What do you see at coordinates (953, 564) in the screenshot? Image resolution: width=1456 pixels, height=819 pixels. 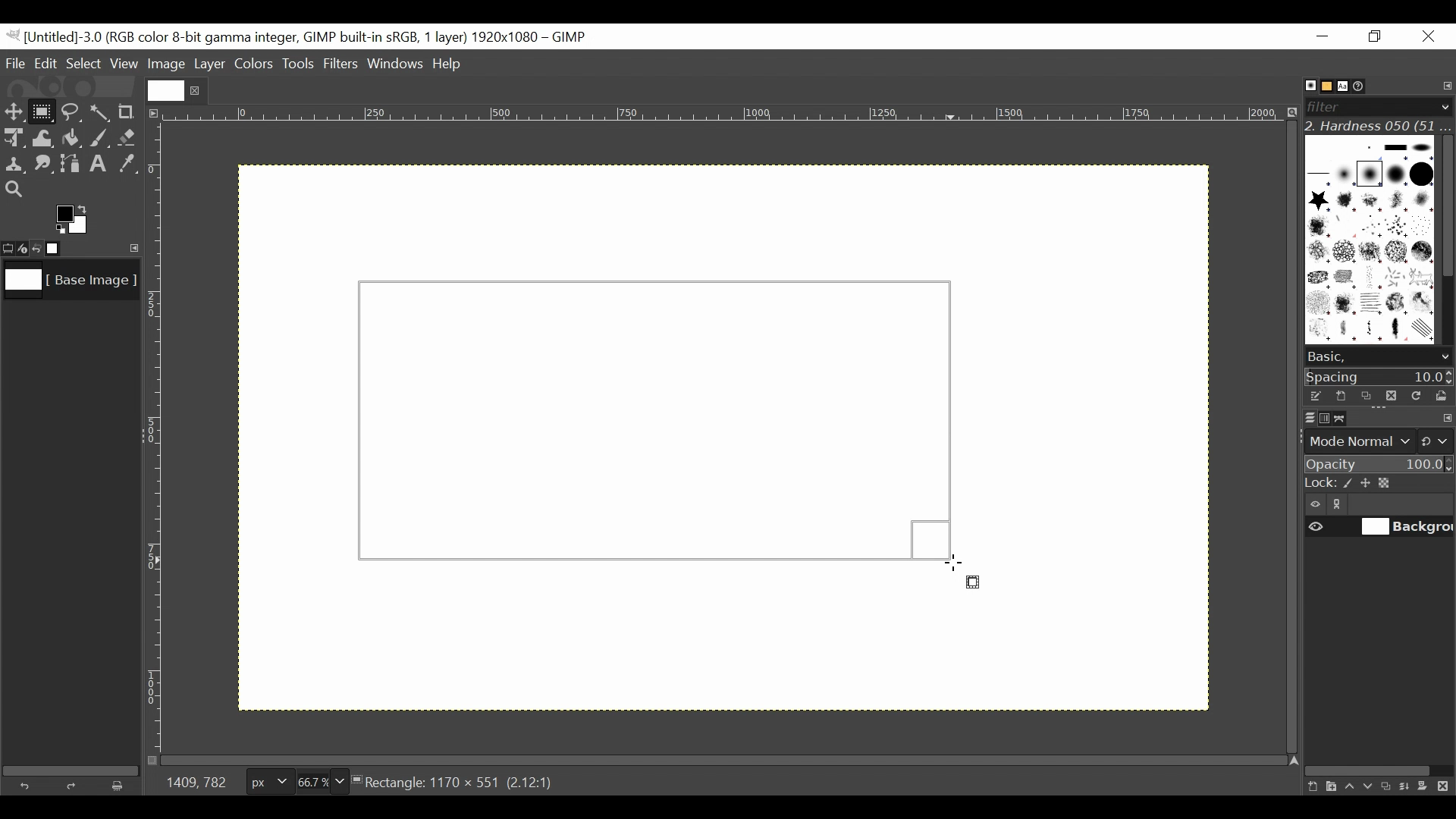 I see `Cursor` at bounding box center [953, 564].